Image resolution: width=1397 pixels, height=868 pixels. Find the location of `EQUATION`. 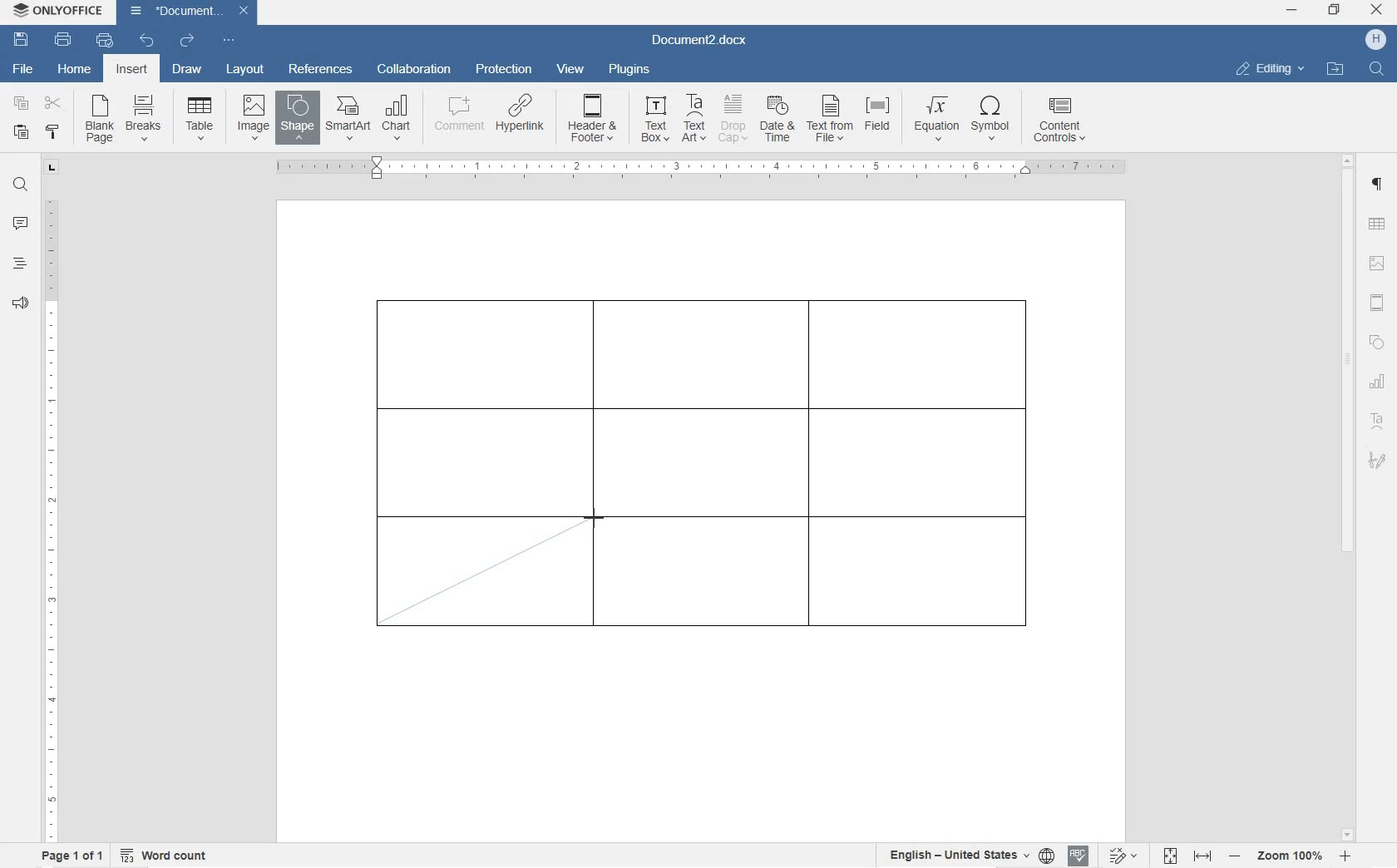

EQUATION is located at coordinates (937, 119).